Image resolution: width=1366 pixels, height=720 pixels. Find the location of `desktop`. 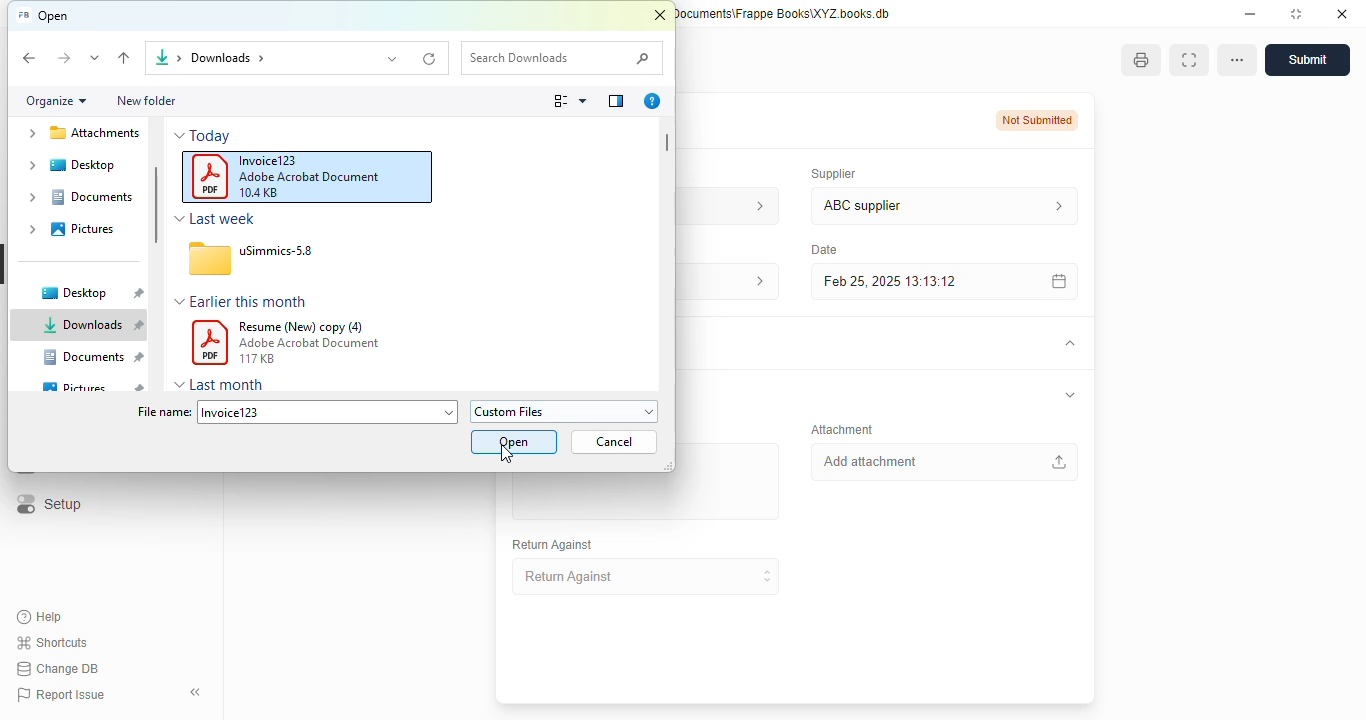

desktop is located at coordinates (90, 293).